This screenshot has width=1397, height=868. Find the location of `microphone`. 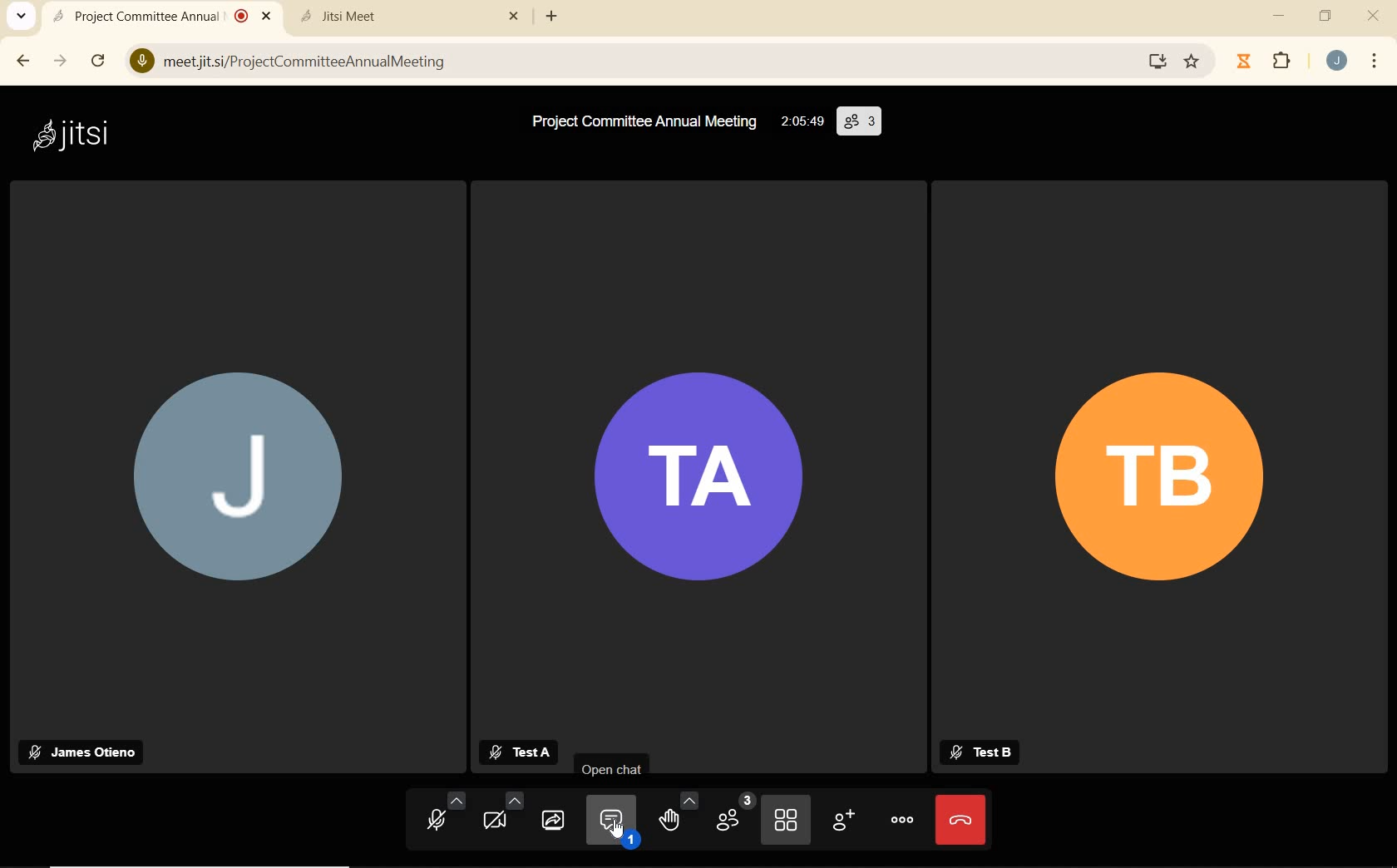

microphone is located at coordinates (444, 812).